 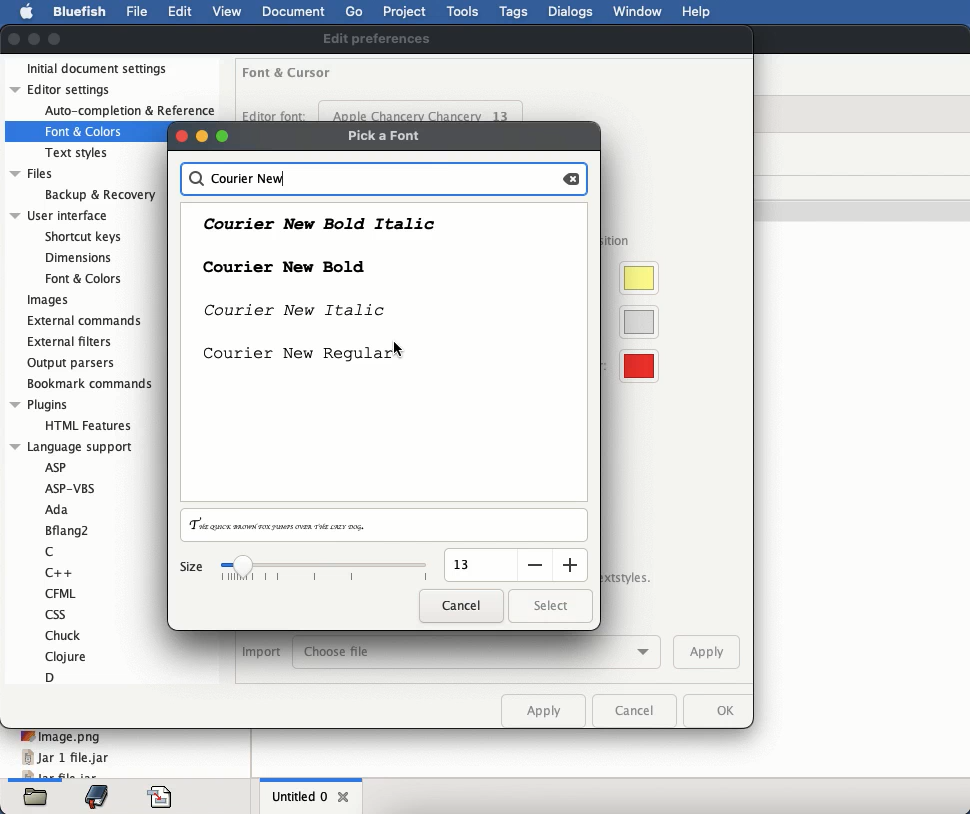 What do you see at coordinates (299, 795) in the screenshot?
I see `untitled` at bounding box center [299, 795].